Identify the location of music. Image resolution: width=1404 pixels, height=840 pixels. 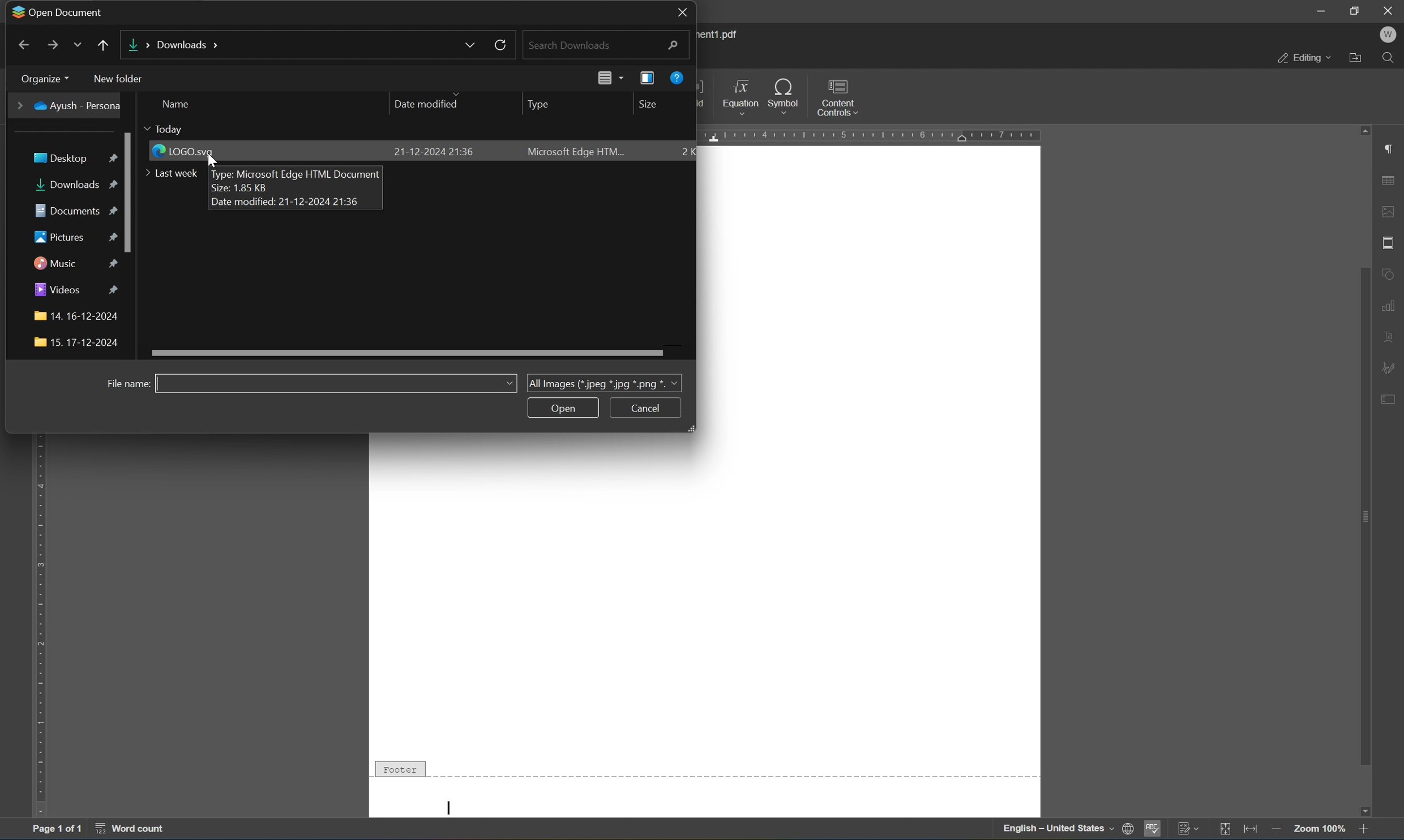
(74, 263).